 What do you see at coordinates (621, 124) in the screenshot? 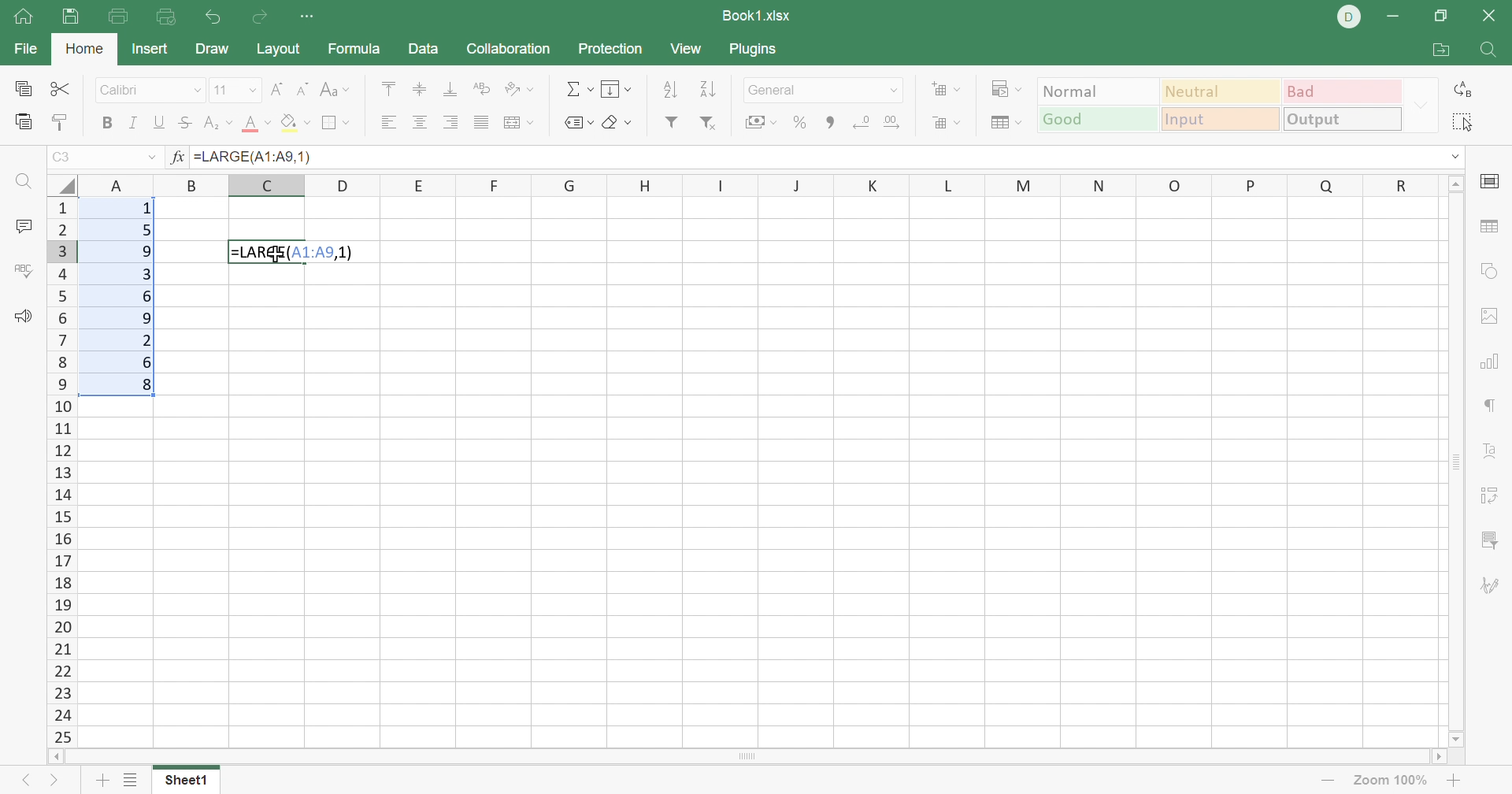
I see `Clear` at bounding box center [621, 124].